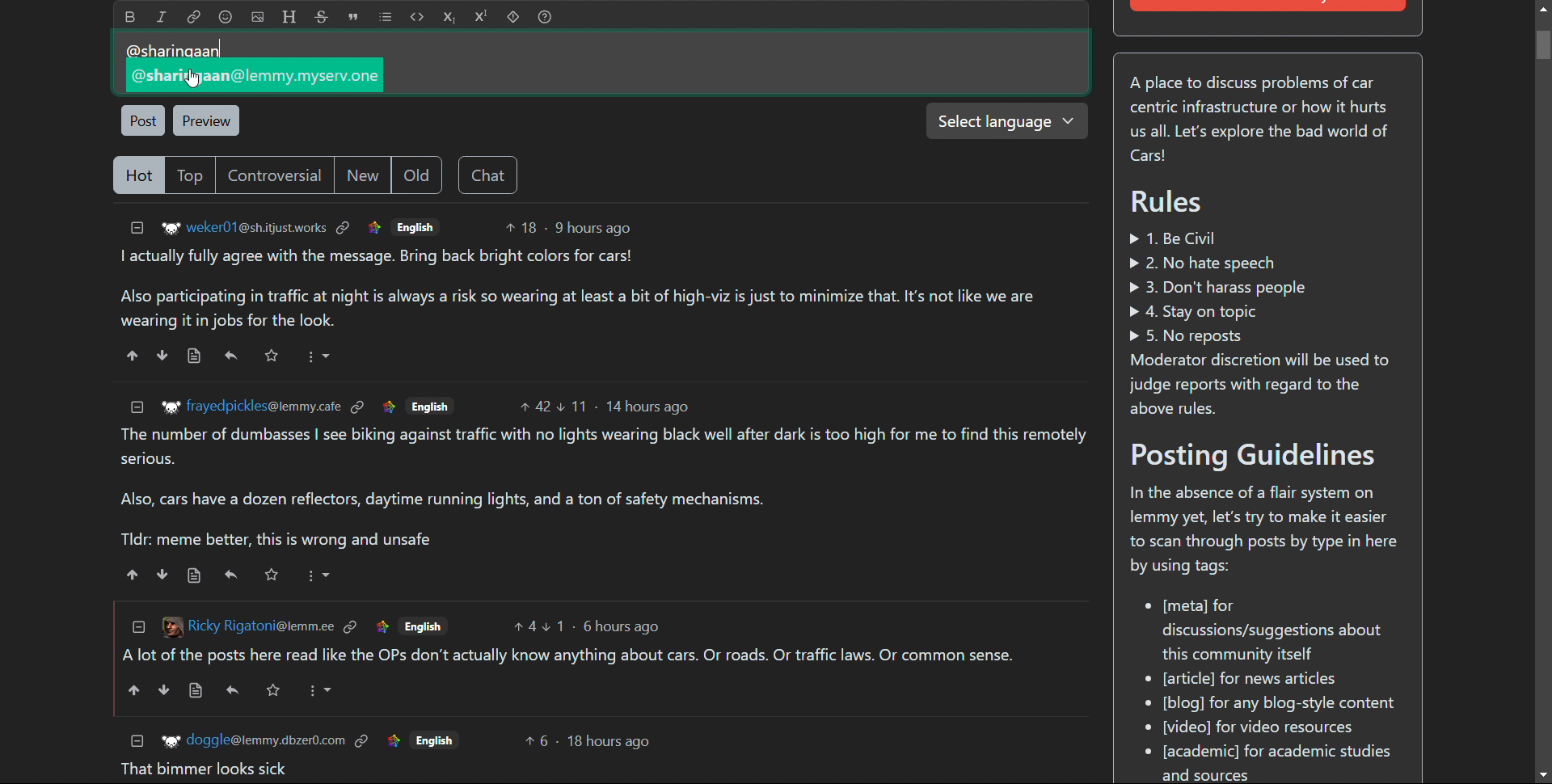 The width and height of the screenshot is (1552, 784). I want to click on 18 hours ago, so click(610, 743).